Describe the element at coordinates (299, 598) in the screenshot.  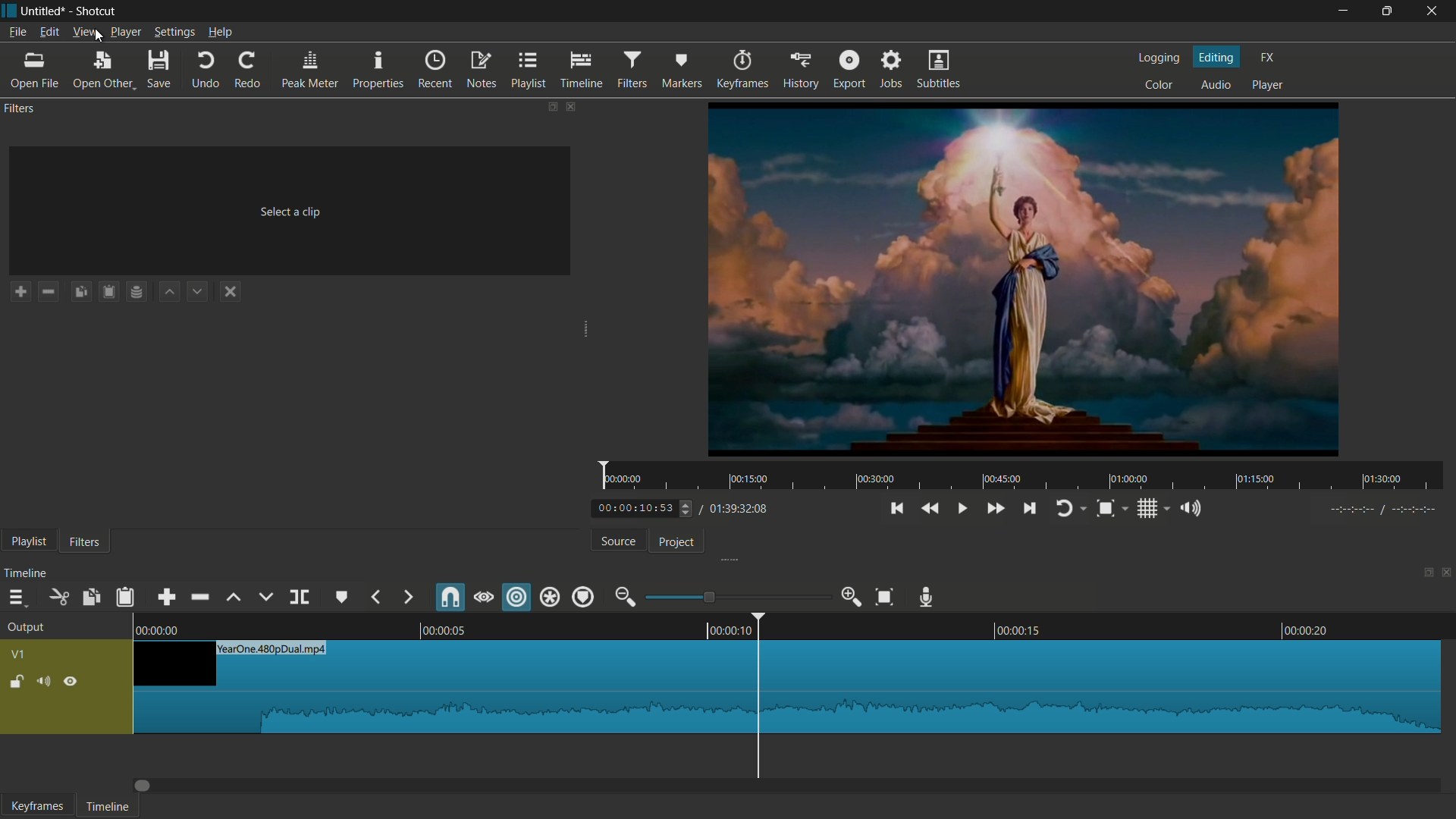
I see `split at playhead` at that location.